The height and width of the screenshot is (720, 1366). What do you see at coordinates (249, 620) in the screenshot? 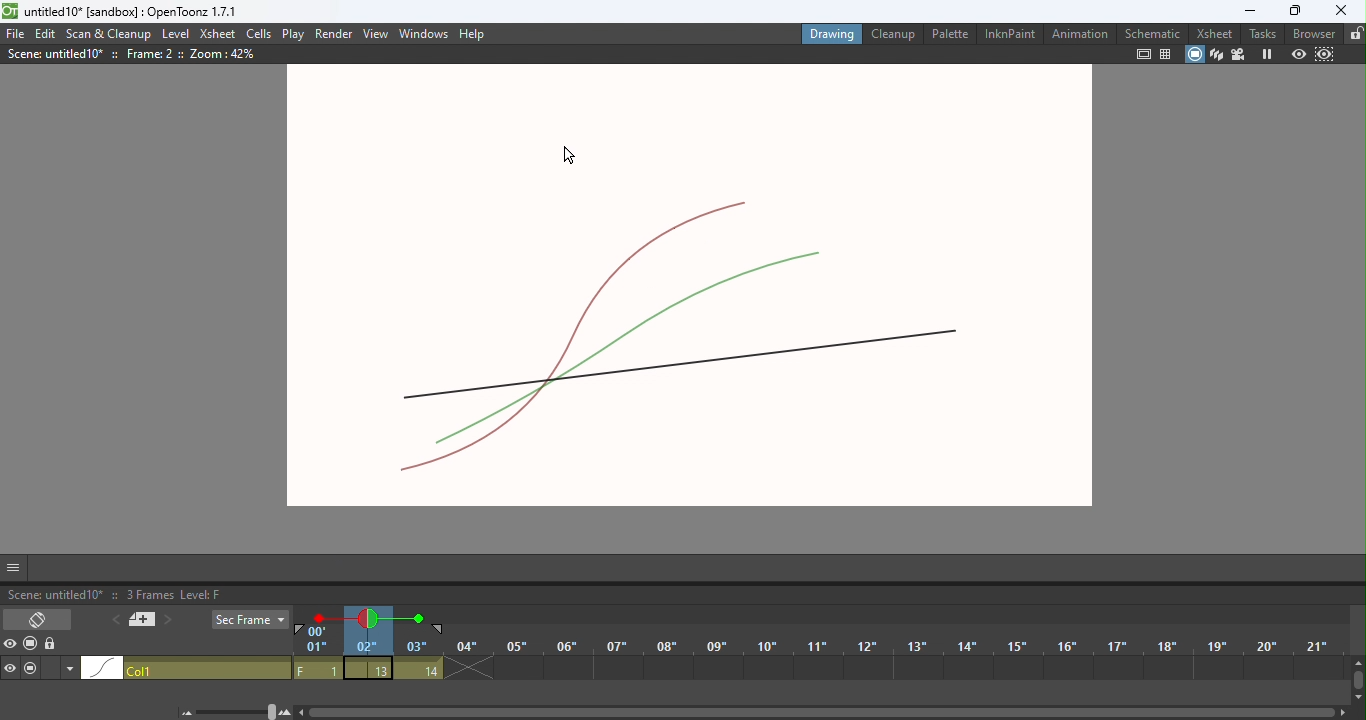
I see `Sec frame` at bounding box center [249, 620].